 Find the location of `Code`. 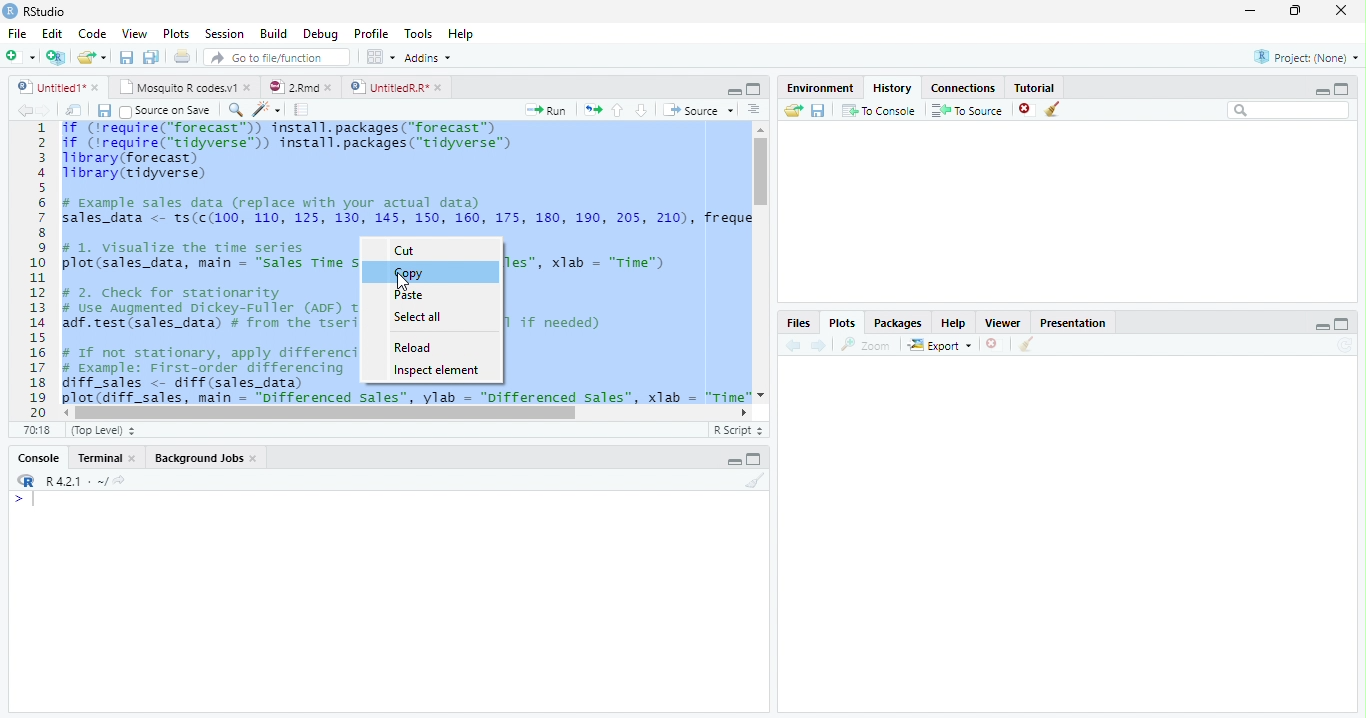

Code is located at coordinates (94, 33).